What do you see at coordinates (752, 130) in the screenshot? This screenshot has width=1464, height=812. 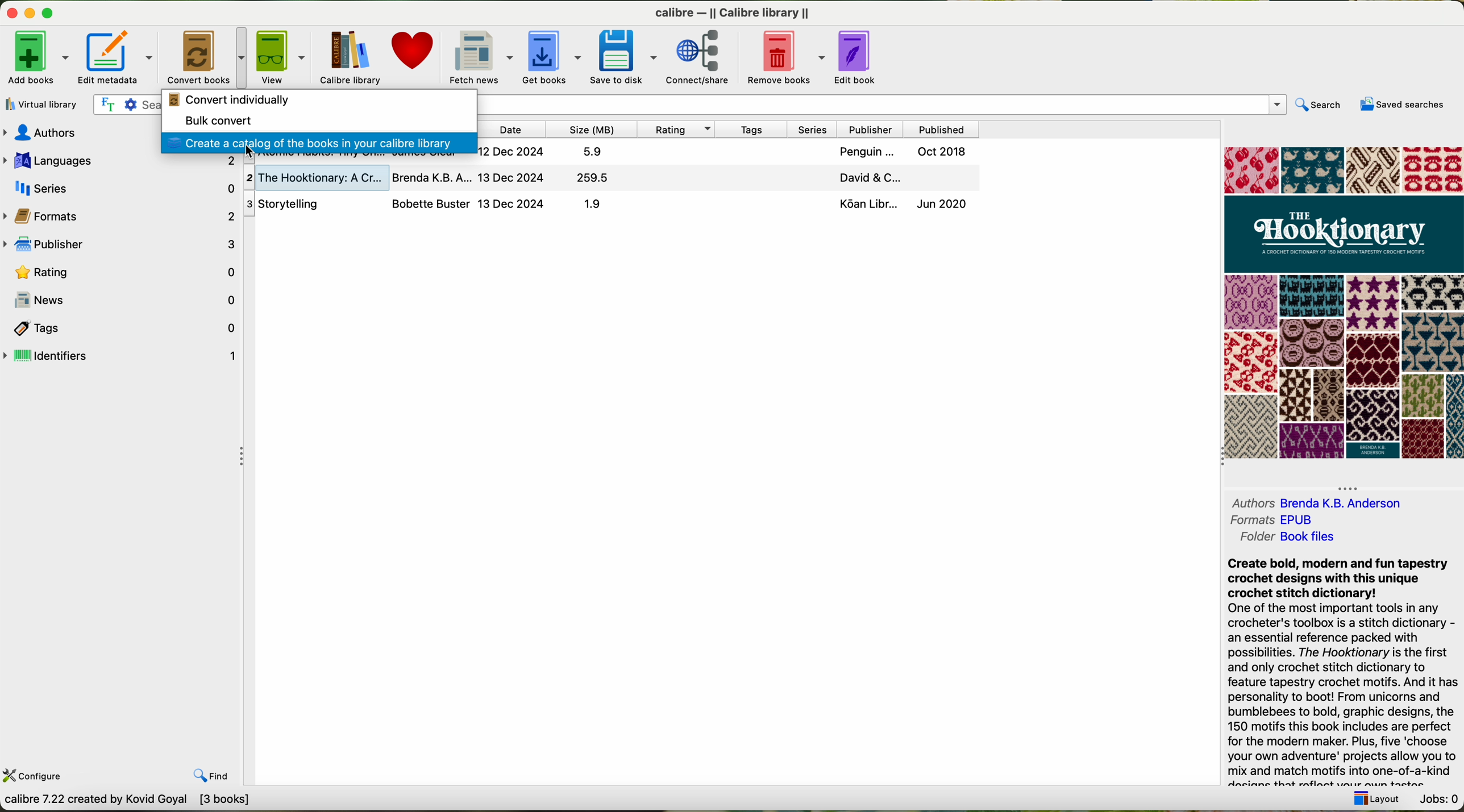 I see `tags` at bounding box center [752, 130].